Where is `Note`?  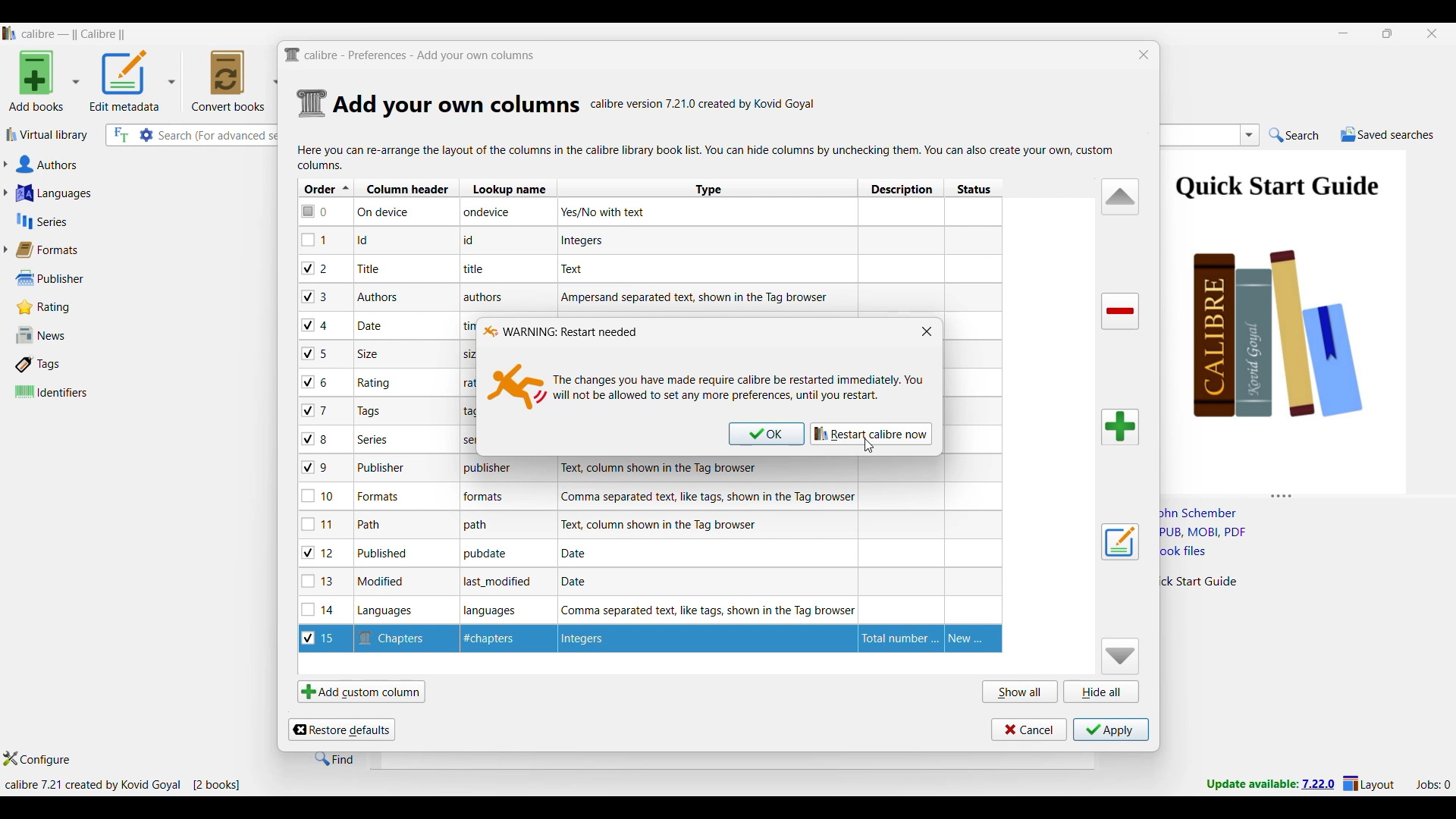
Note is located at coordinates (368, 524).